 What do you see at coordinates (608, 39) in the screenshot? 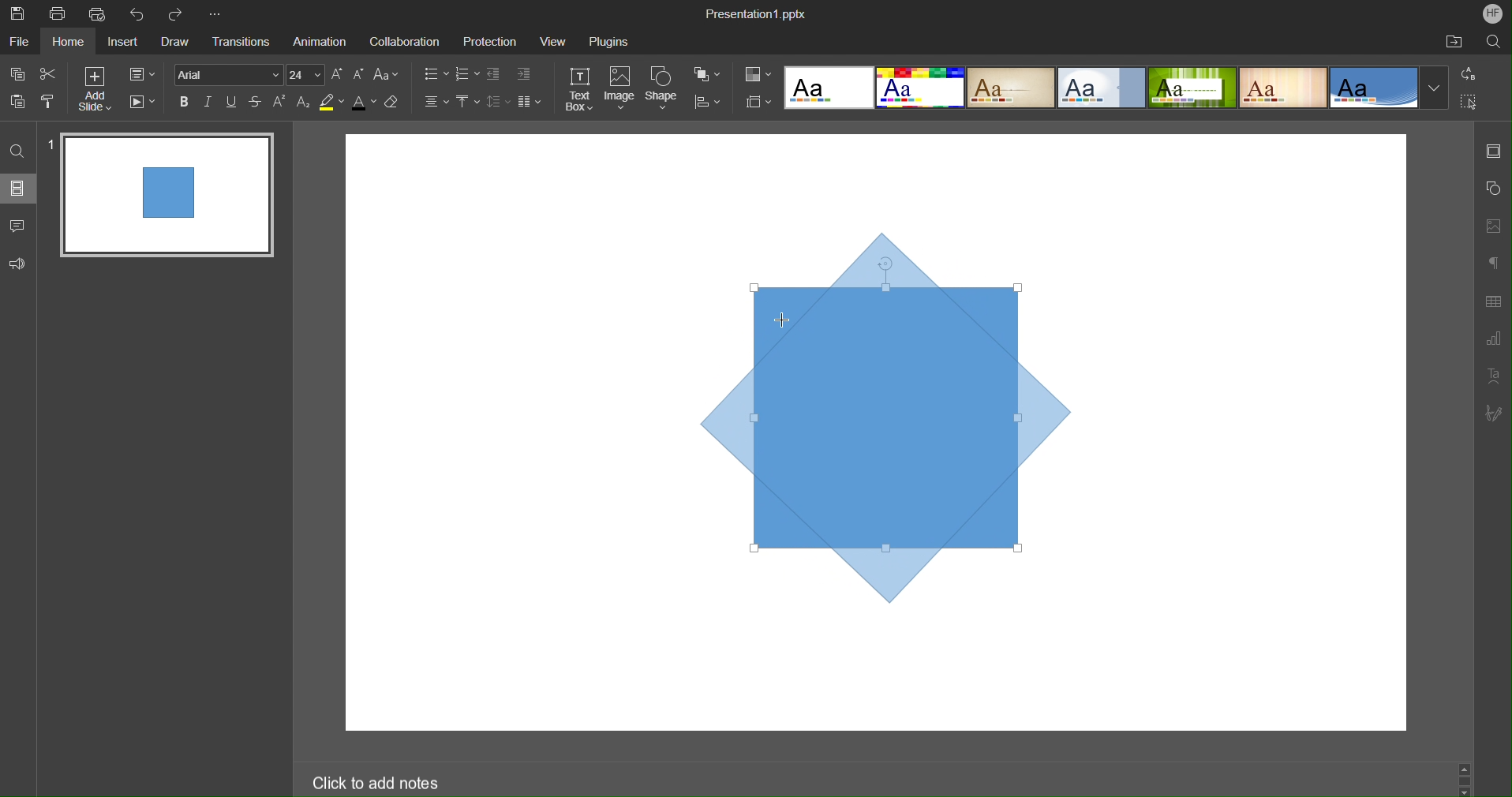
I see `Plugins` at bounding box center [608, 39].